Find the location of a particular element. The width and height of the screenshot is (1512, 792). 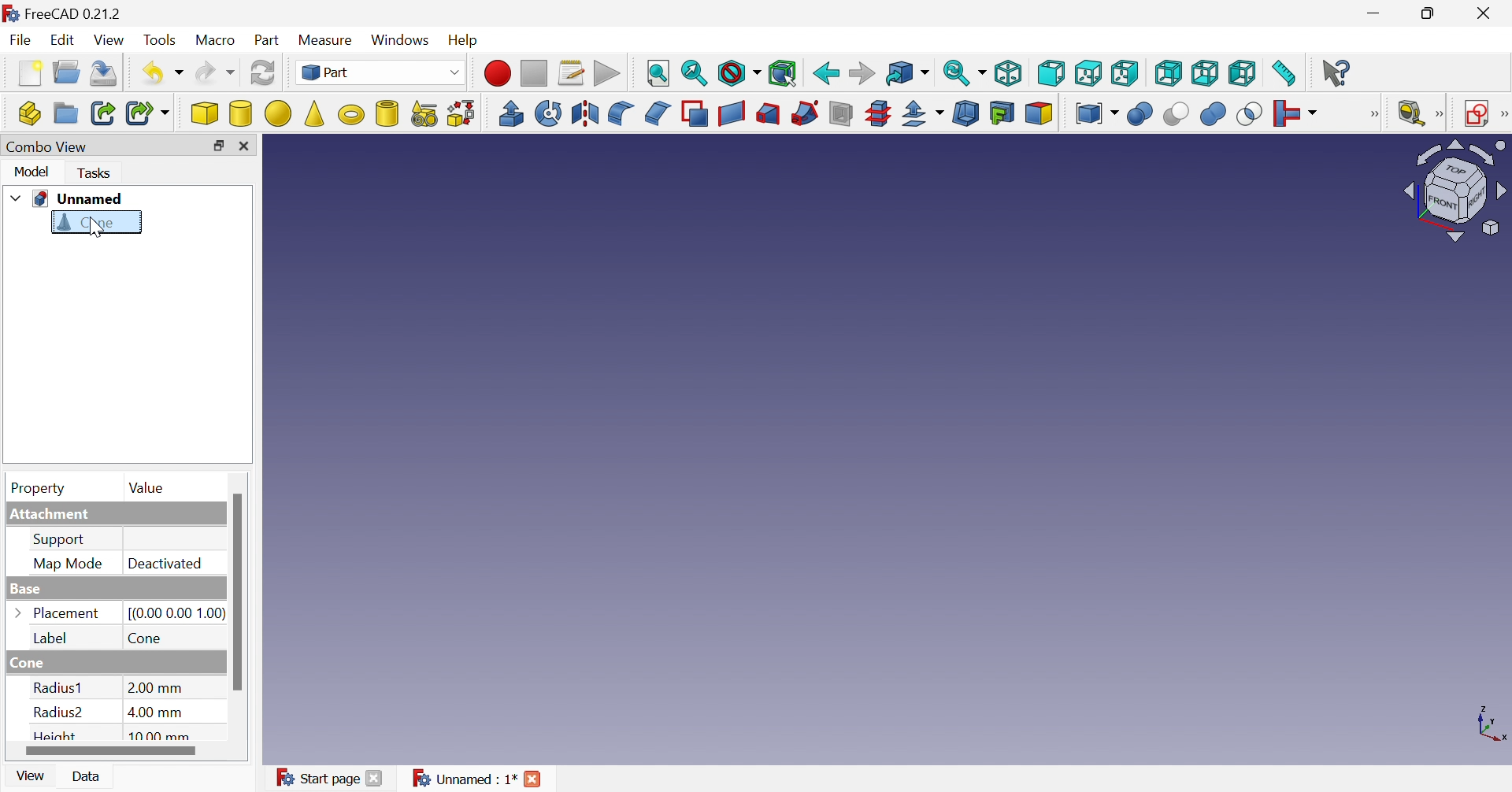

Save is located at coordinates (105, 73).